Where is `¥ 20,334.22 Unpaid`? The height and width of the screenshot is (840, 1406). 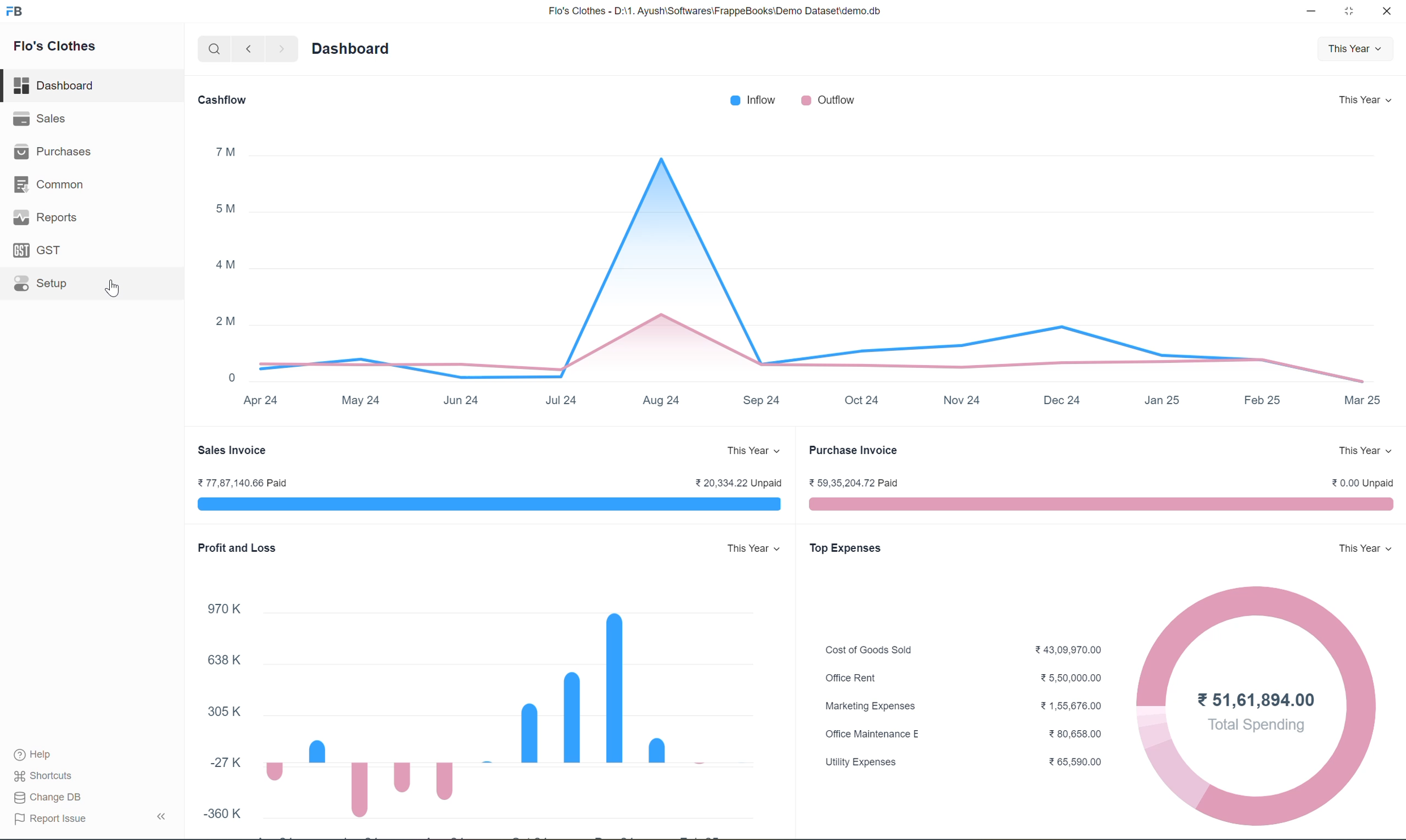
¥ 20,334.22 Unpaid is located at coordinates (737, 483).